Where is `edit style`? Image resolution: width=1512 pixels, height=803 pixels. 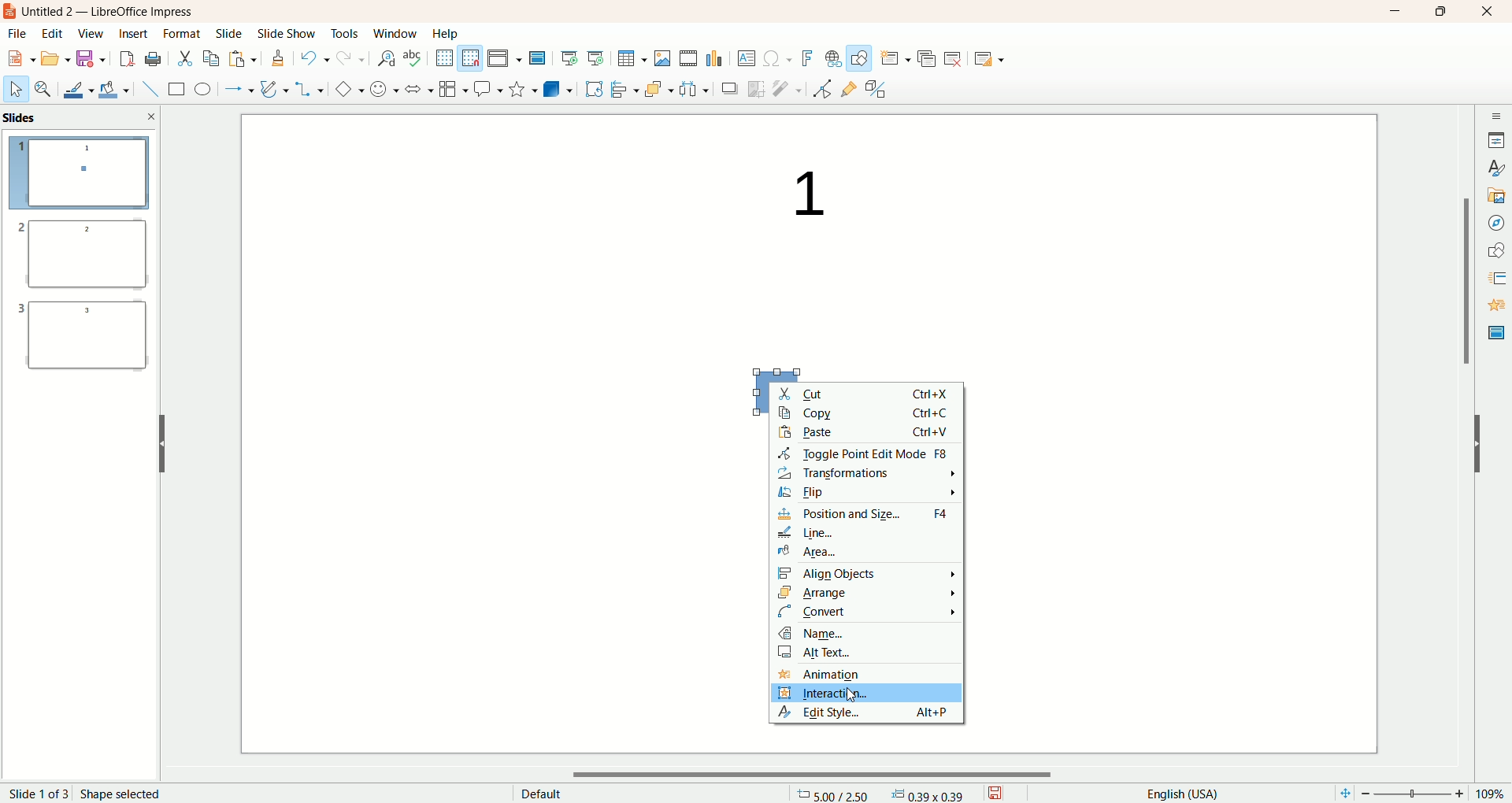 edit style is located at coordinates (823, 715).